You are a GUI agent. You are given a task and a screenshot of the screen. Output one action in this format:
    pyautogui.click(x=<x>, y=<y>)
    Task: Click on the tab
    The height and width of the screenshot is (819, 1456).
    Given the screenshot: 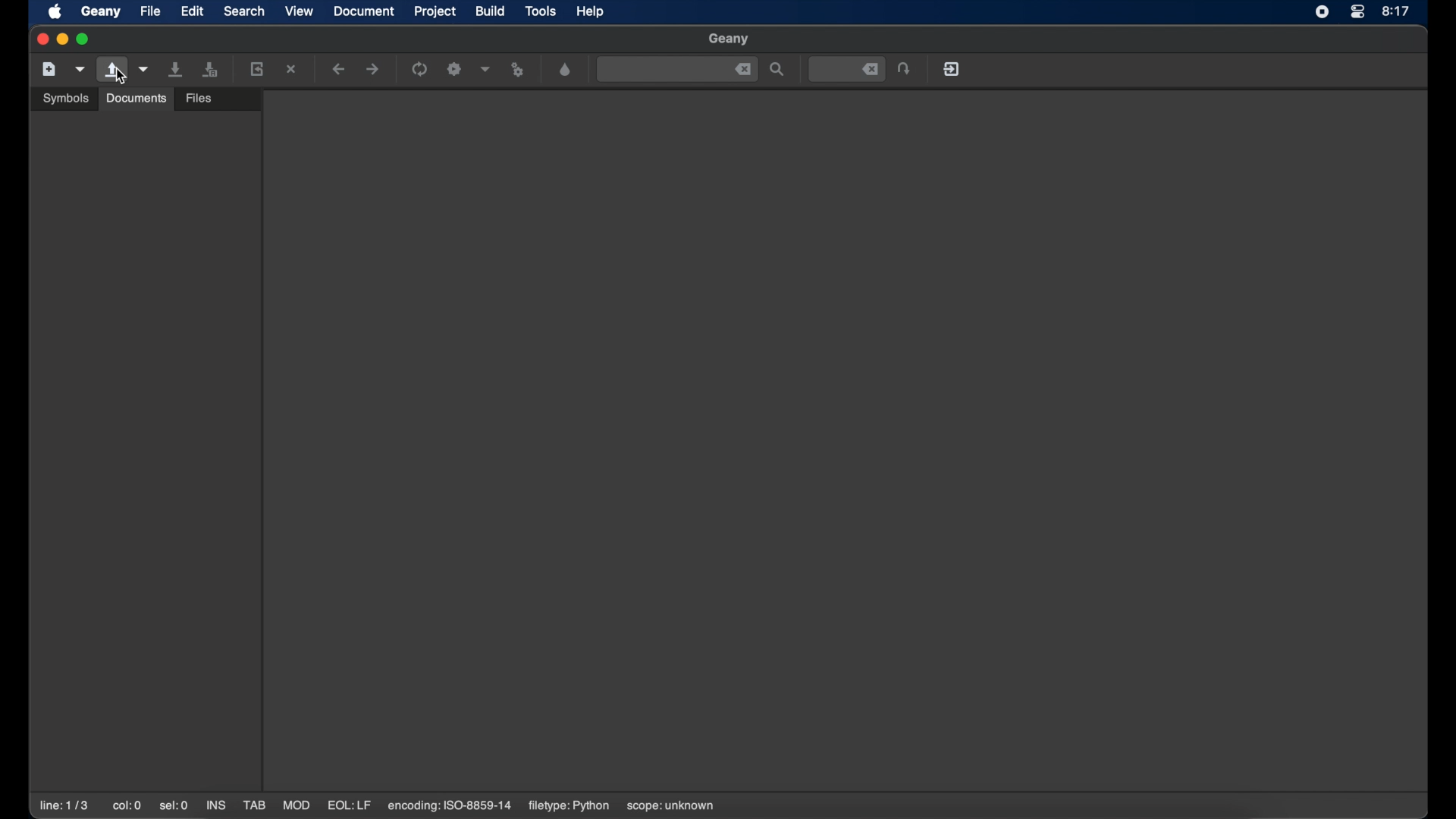 What is the action you would take?
    pyautogui.click(x=253, y=805)
    